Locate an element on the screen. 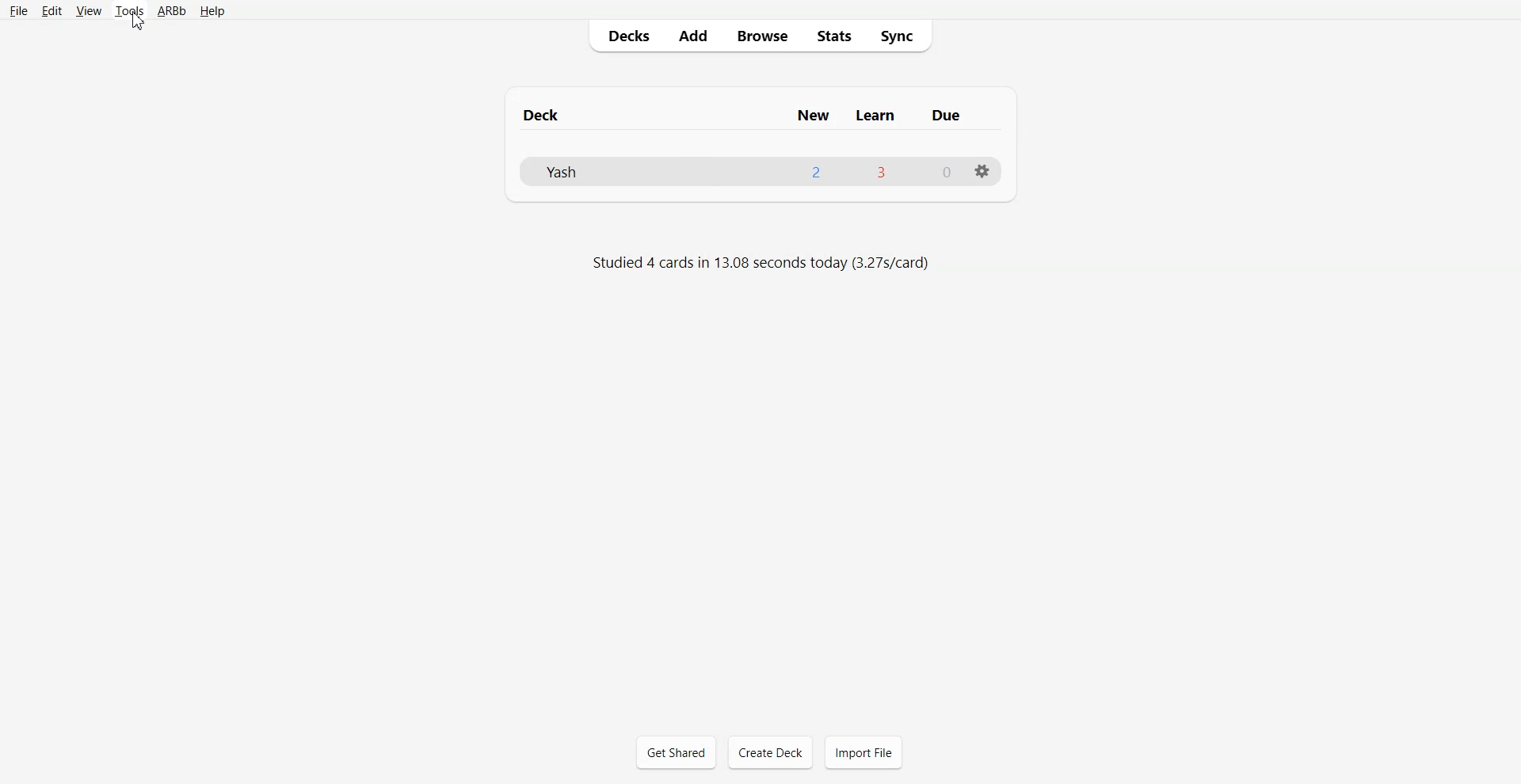 The width and height of the screenshot is (1521, 784). Decks is located at coordinates (625, 36).